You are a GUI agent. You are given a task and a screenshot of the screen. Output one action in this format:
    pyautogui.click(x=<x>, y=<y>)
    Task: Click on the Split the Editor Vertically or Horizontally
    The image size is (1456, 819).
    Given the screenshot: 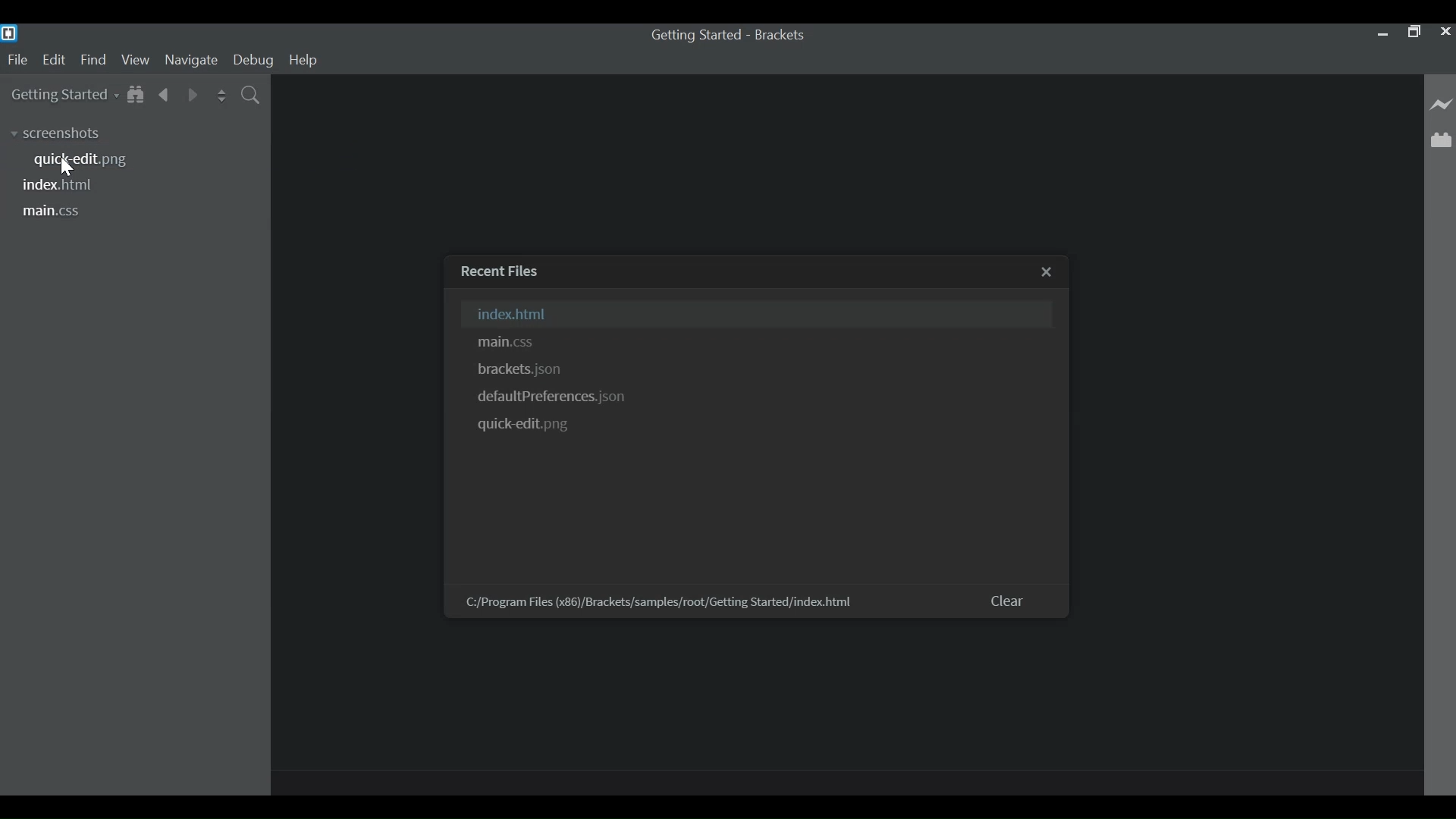 What is the action you would take?
    pyautogui.click(x=220, y=95)
    